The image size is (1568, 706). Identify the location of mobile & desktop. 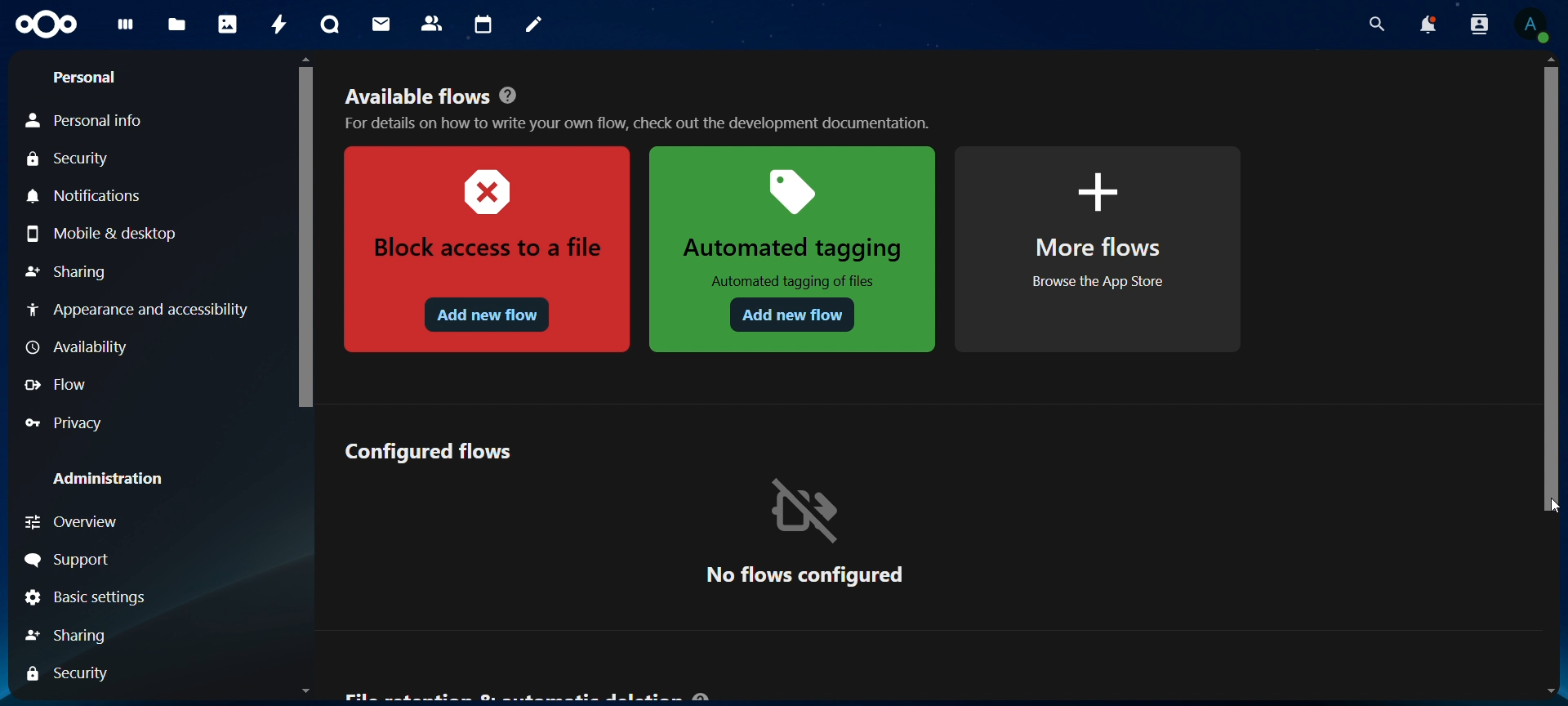
(106, 233).